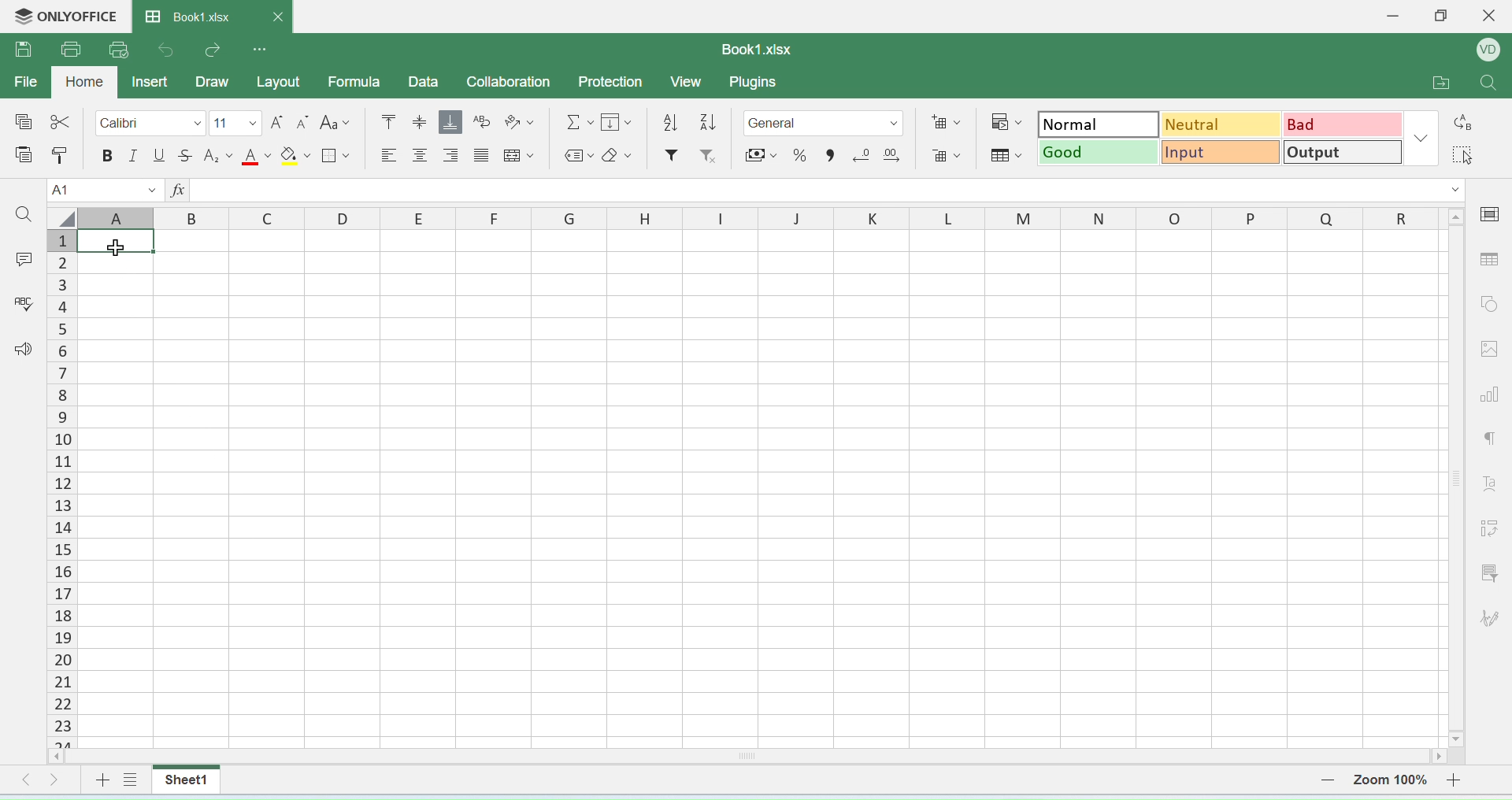 The image size is (1512, 800). I want to click on mouse pointer, so click(117, 248).